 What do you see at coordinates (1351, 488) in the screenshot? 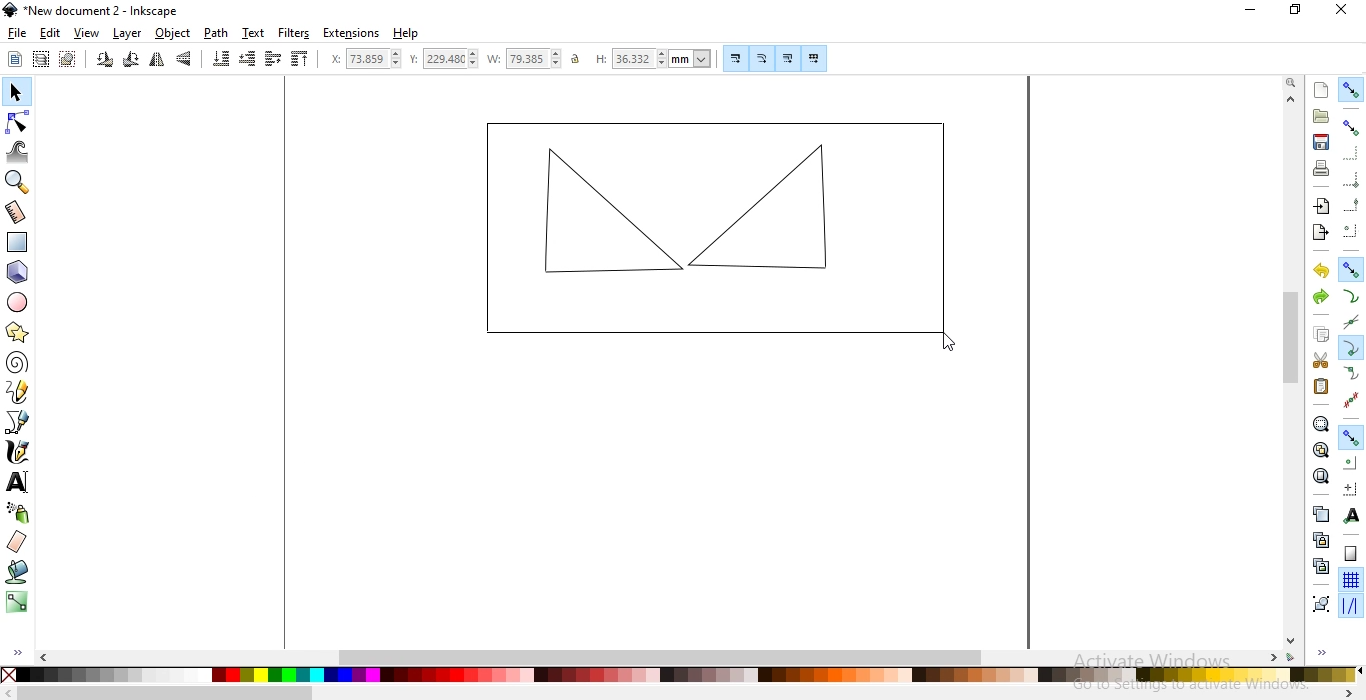
I see `snap an item's rotation center` at bounding box center [1351, 488].